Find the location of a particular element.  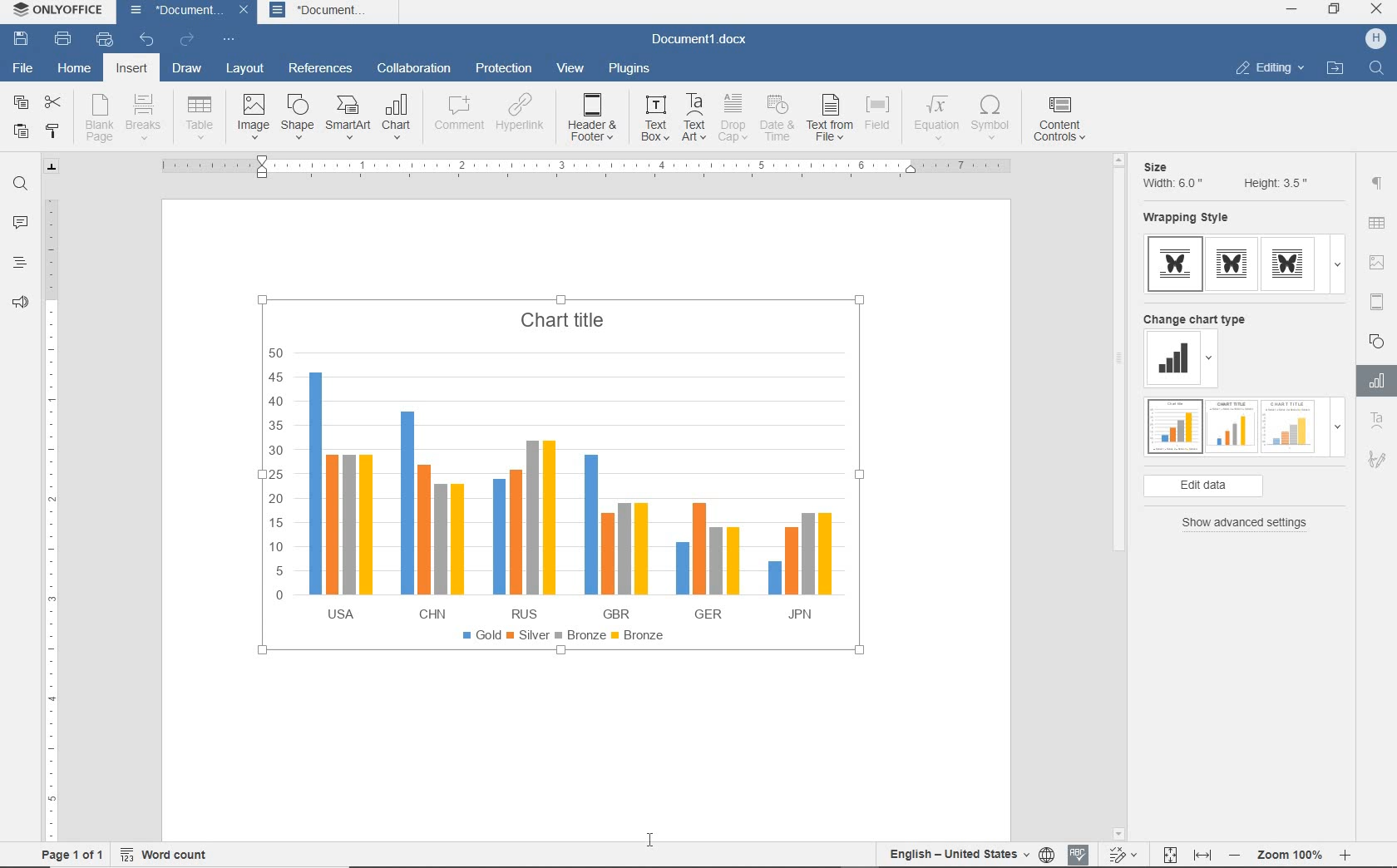

page 1 of 1 is located at coordinates (73, 854).